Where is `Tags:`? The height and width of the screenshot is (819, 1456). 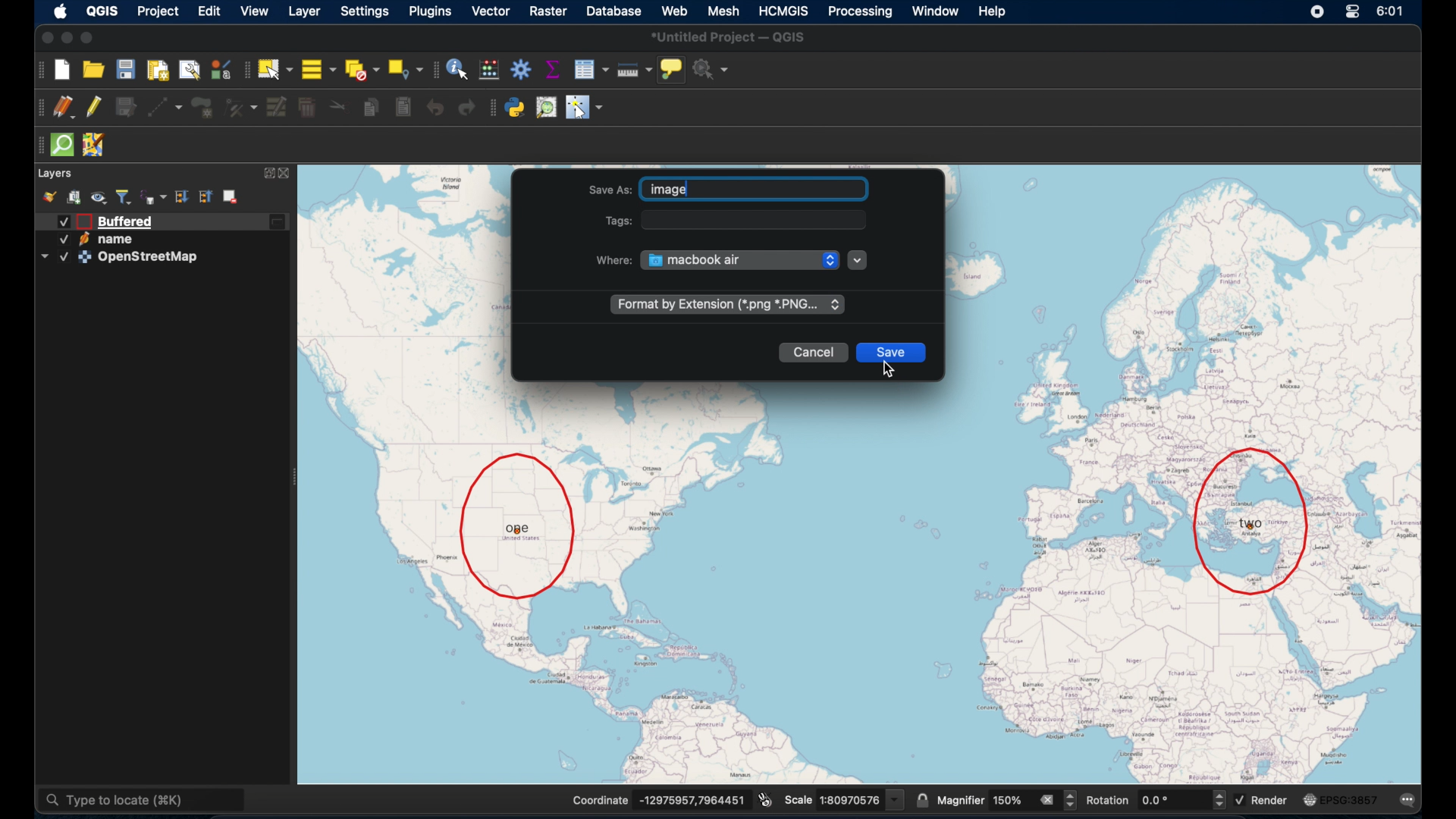
Tags: is located at coordinates (620, 221).